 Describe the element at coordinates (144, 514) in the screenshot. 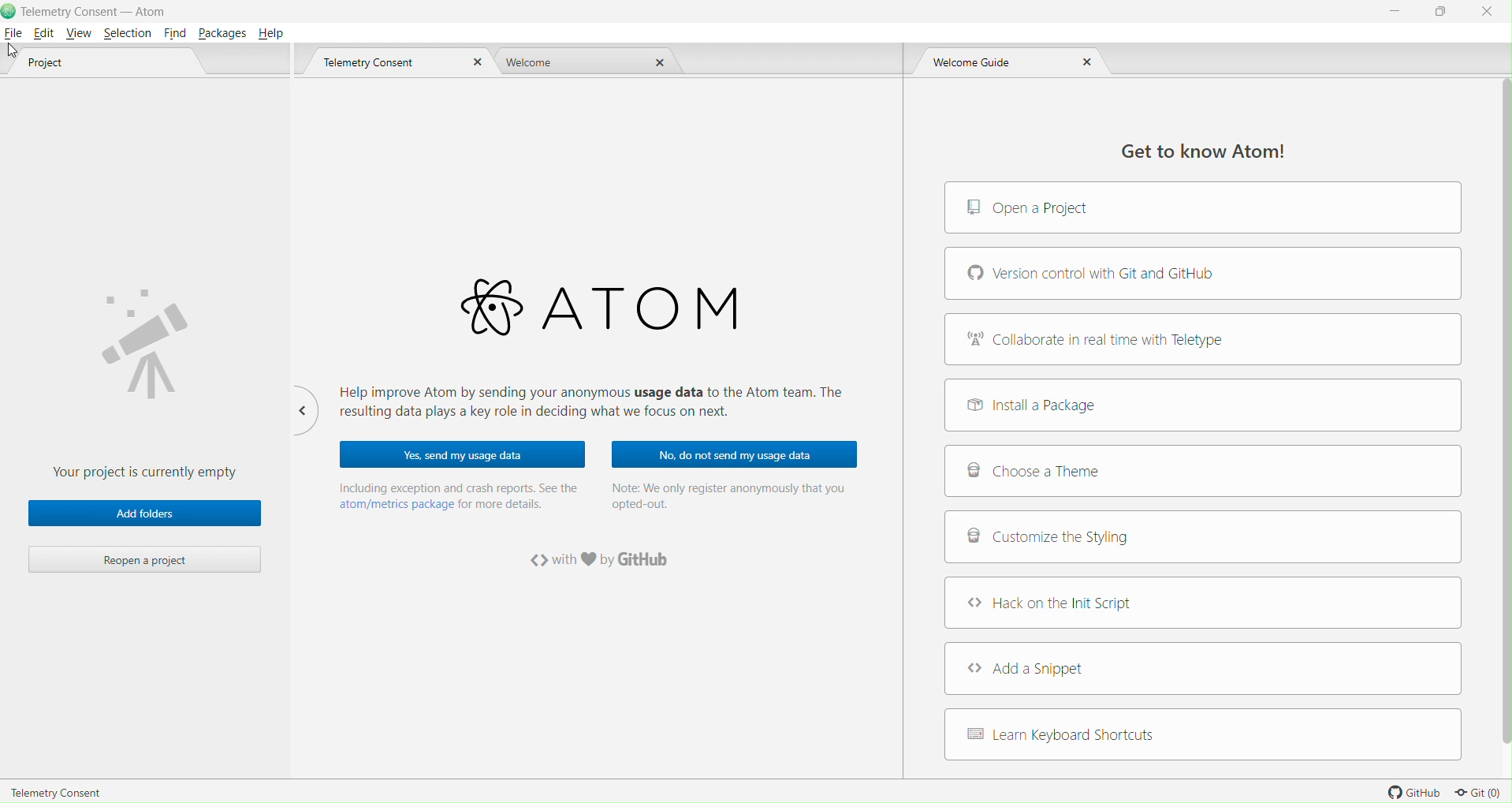

I see `Add Folders` at that location.